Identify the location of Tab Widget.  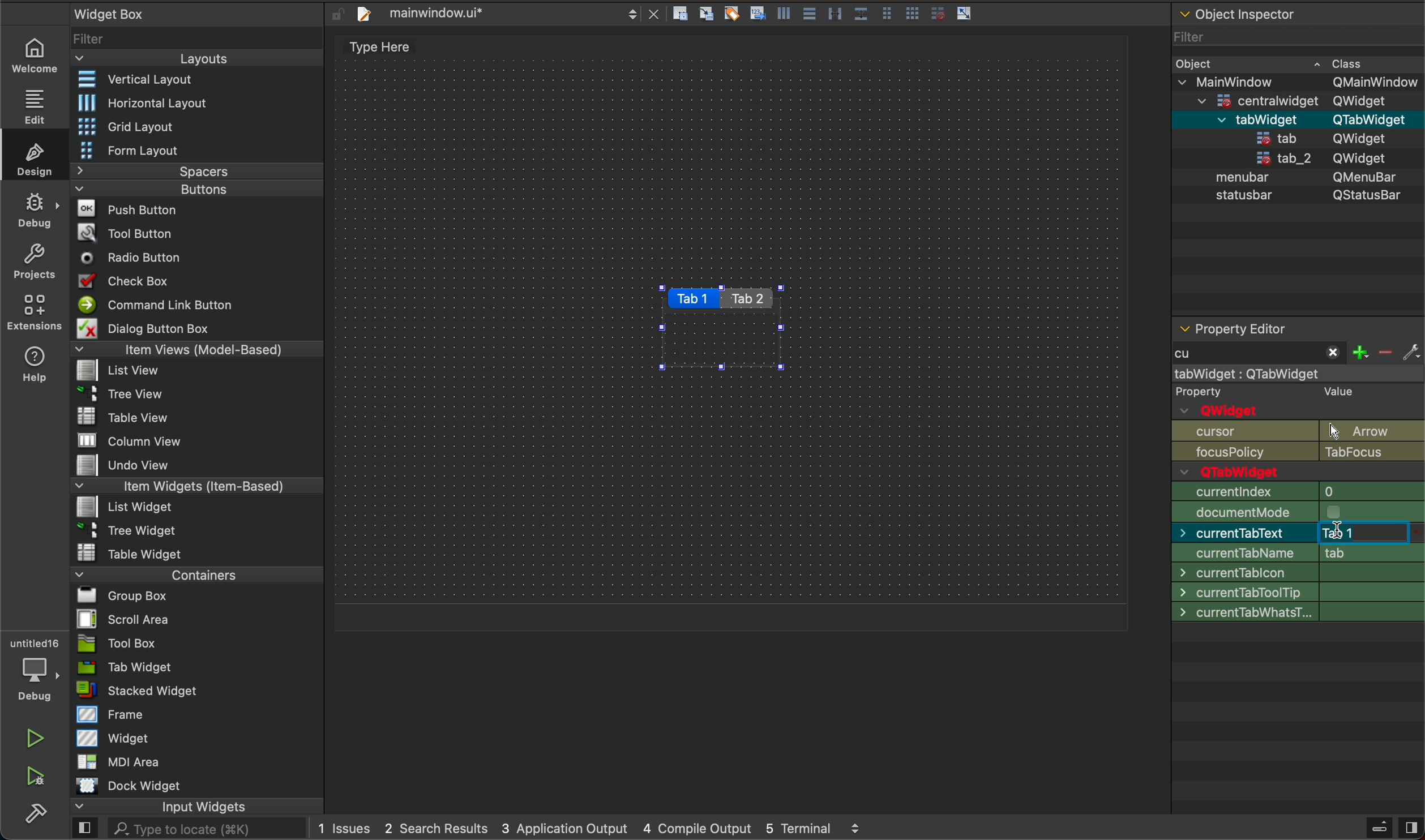
(129, 666).